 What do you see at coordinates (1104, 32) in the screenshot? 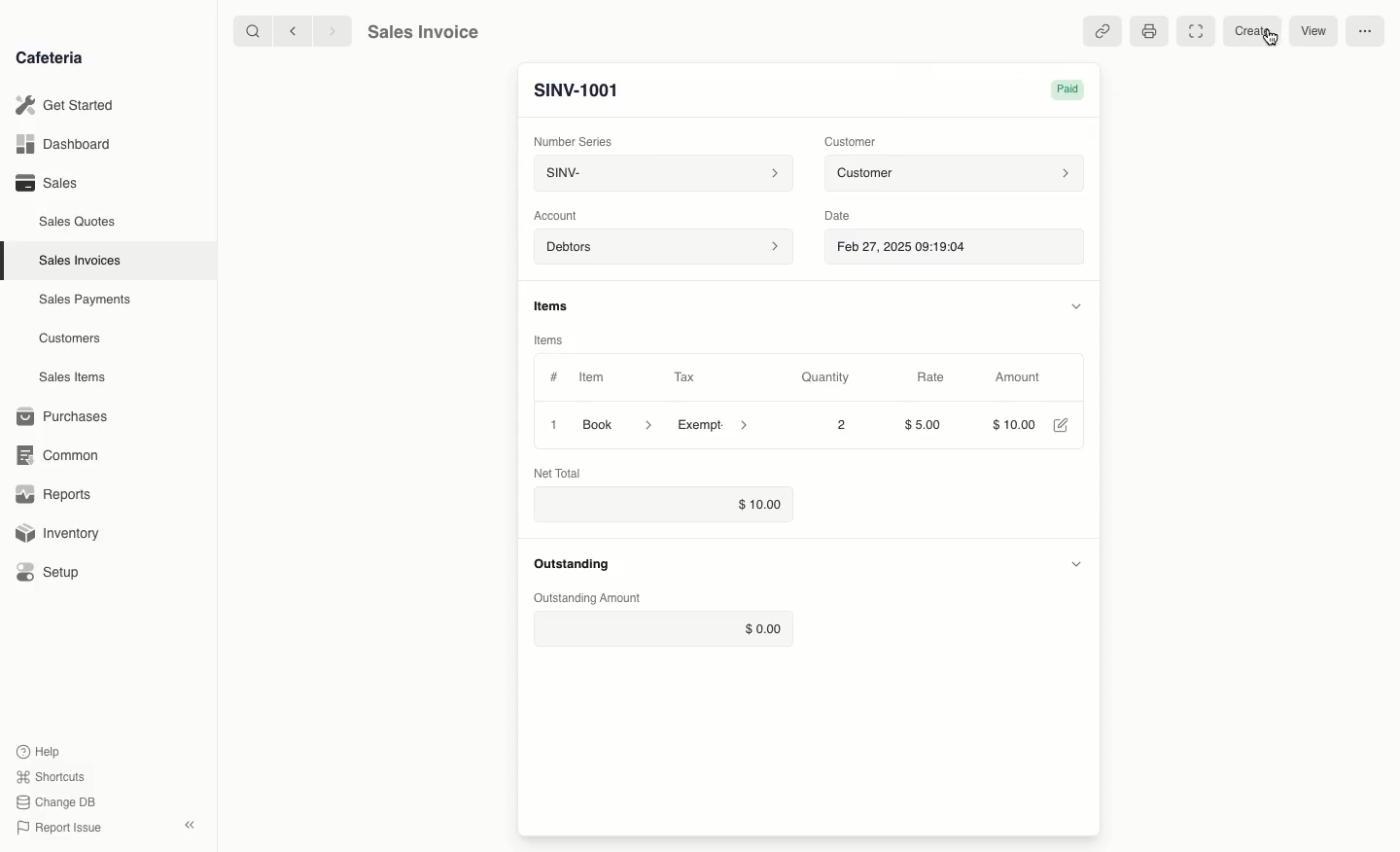
I see `linked entries` at bounding box center [1104, 32].